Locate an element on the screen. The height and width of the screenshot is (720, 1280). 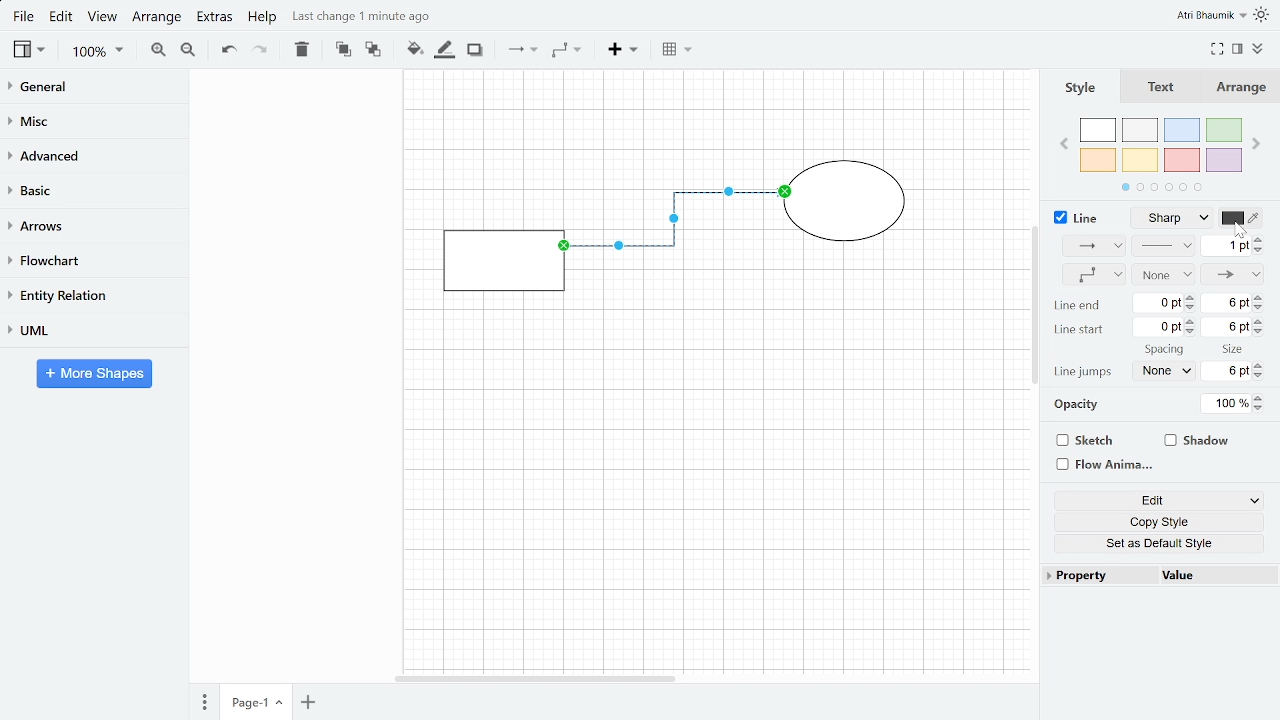
Line is located at coordinates (1074, 217).